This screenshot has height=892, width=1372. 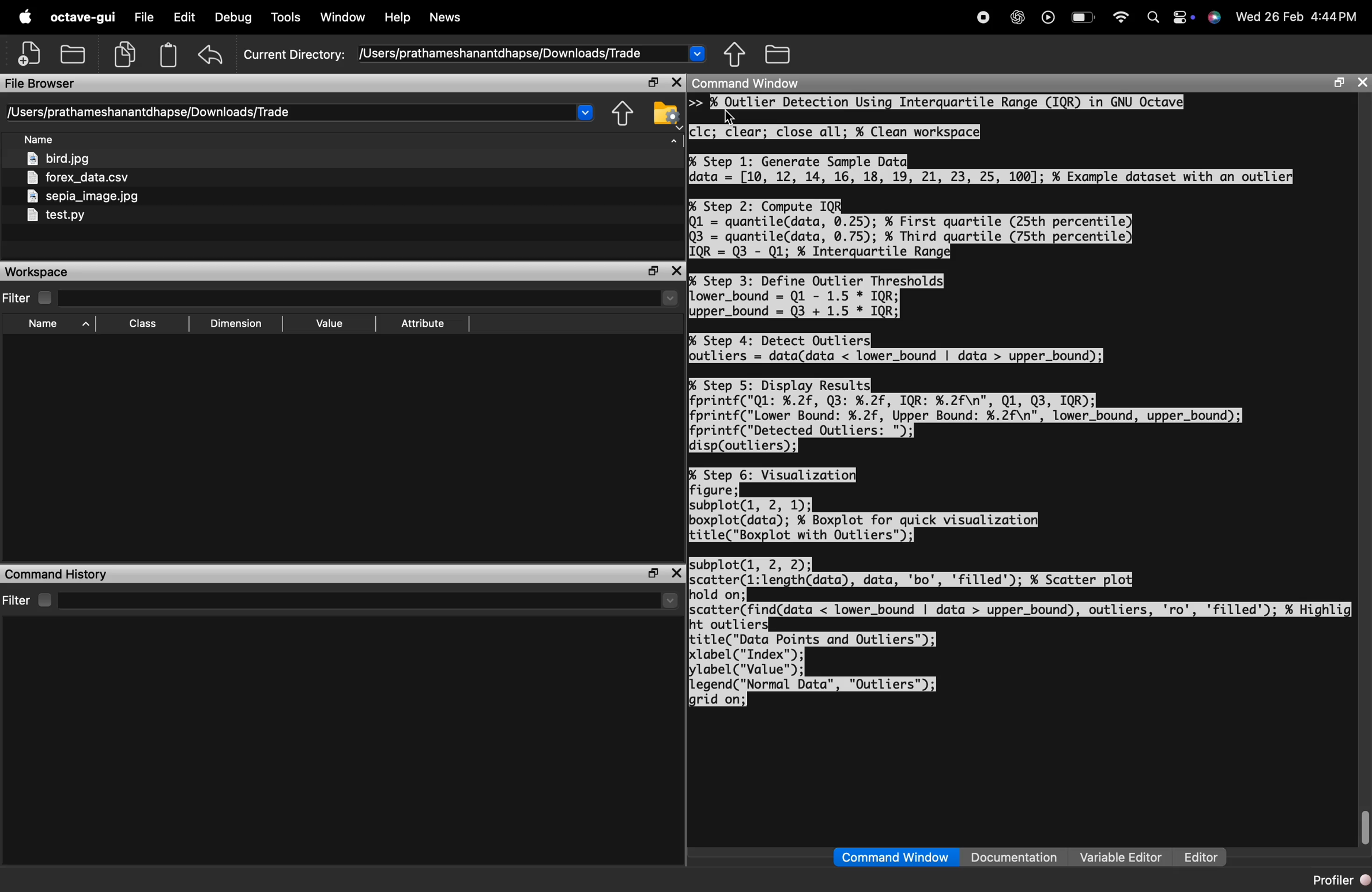 I want to click on open in separate window, so click(x=655, y=271).